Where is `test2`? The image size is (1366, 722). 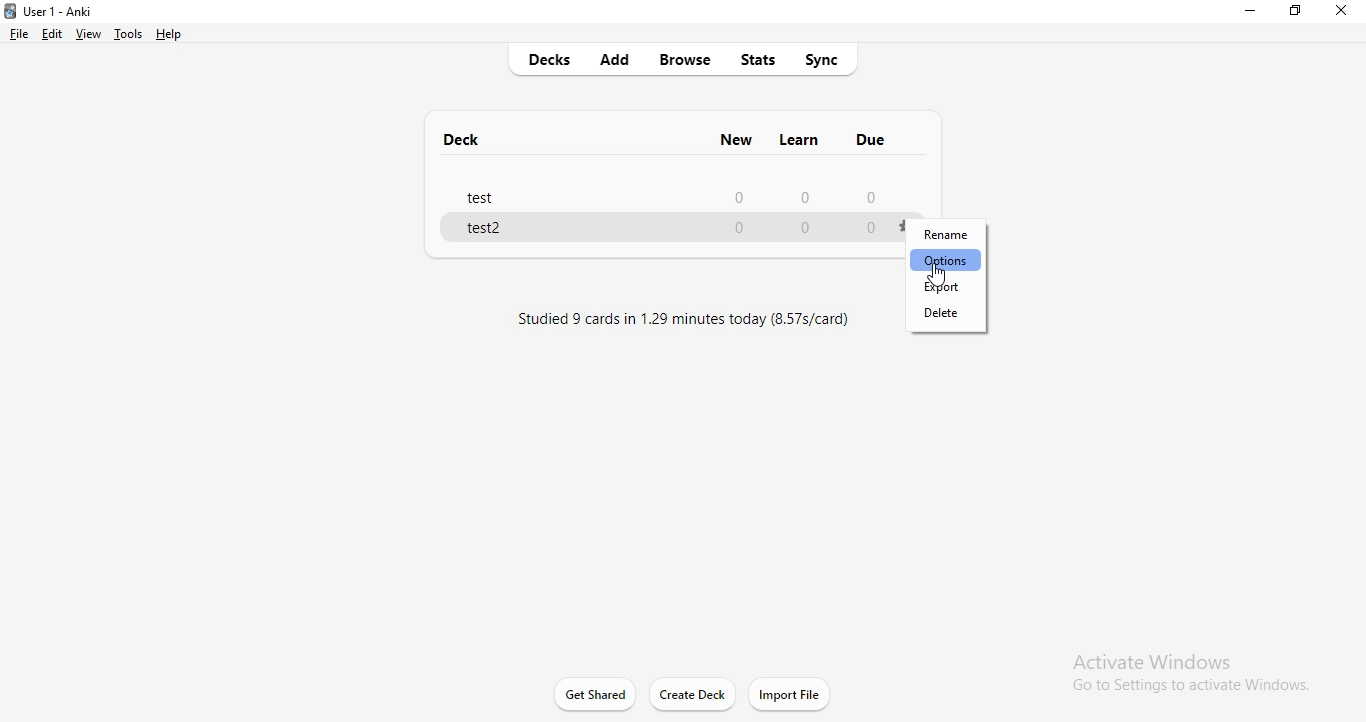
test2 is located at coordinates (486, 231).